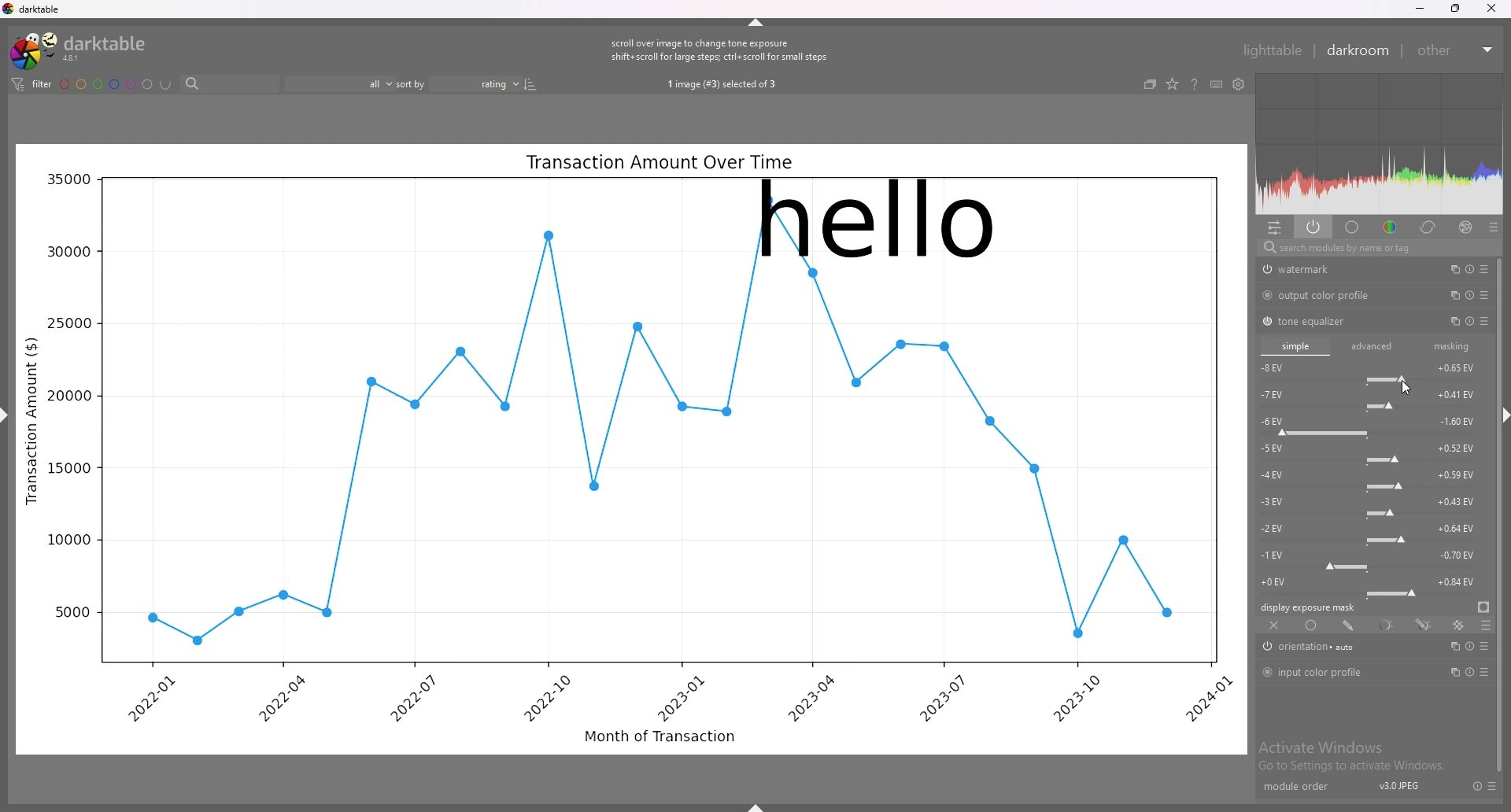  Describe the element at coordinates (722, 85) in the screenshot. I see `1 image (#3) selected of 3` at that location.